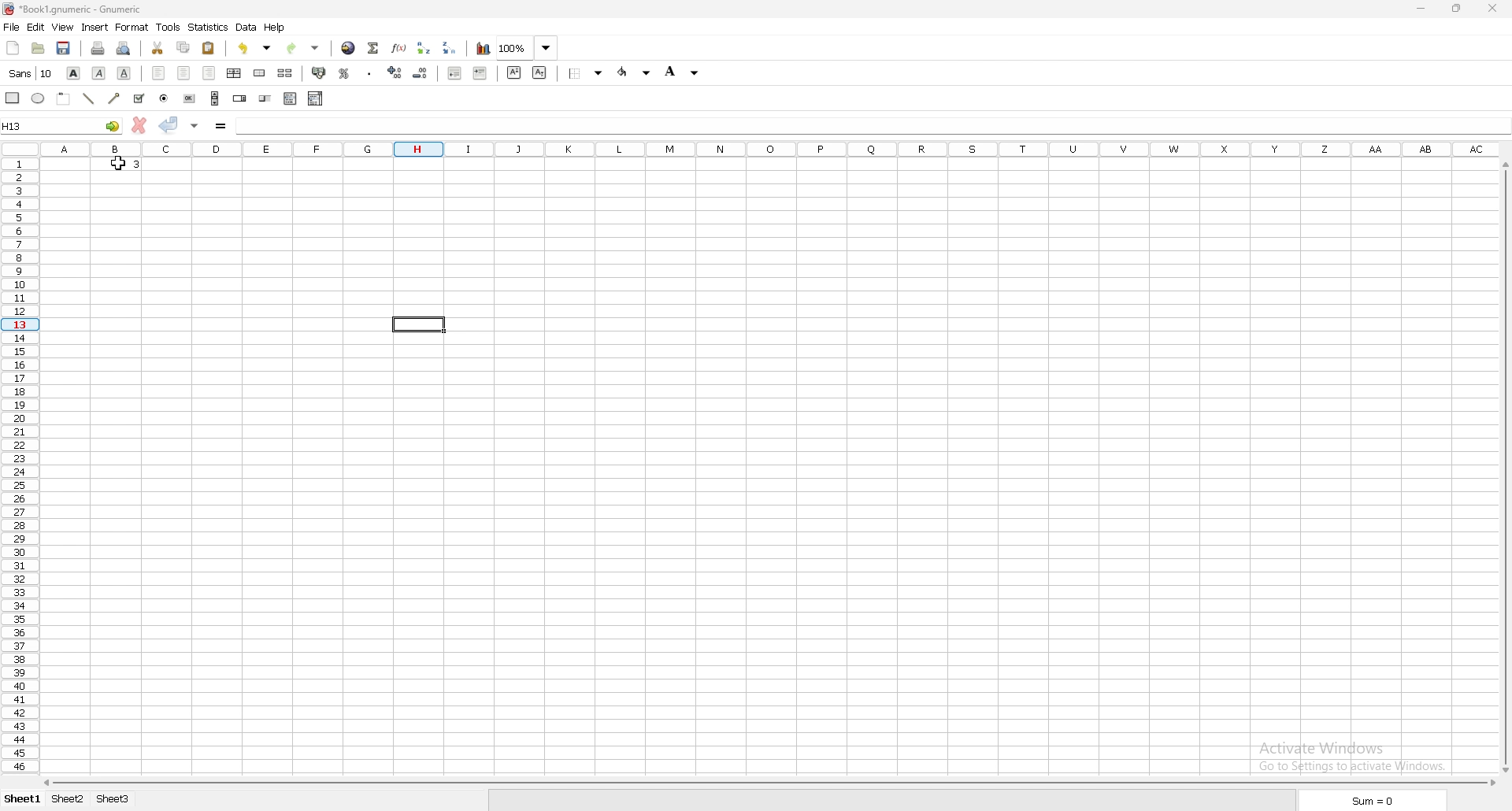  I want to click on open, so click(39, 48).